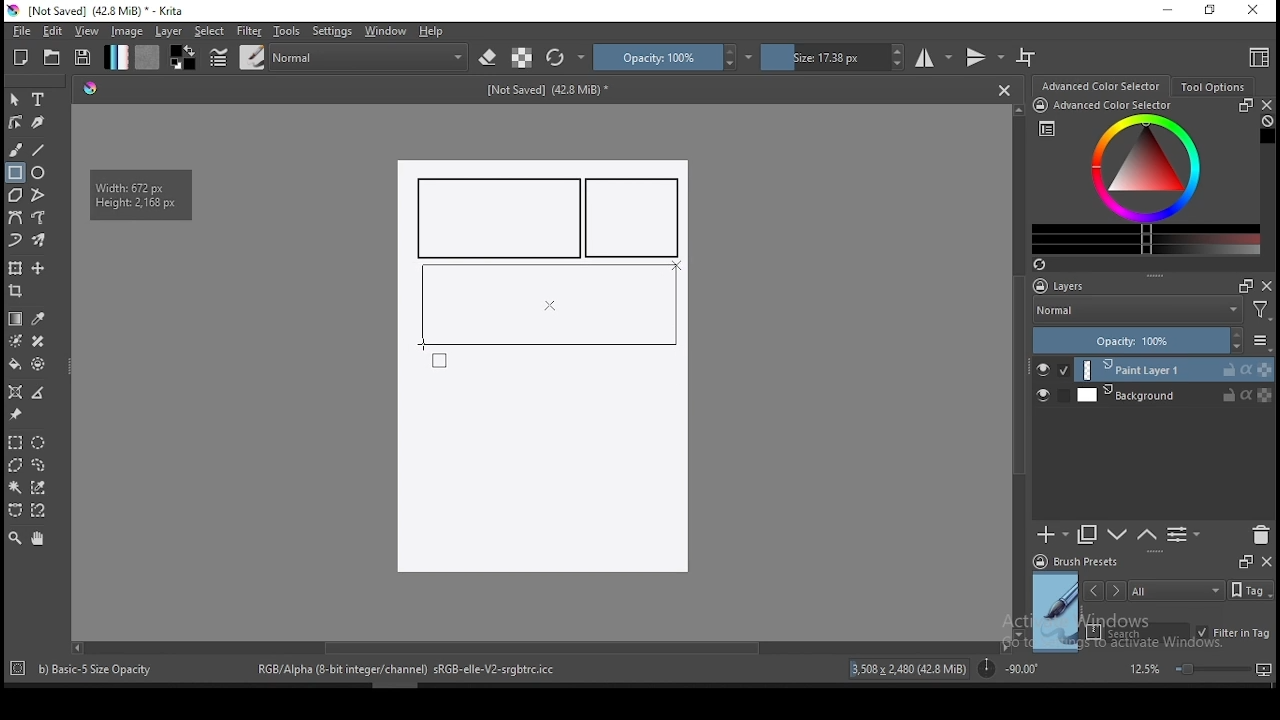  What do you see at coordinates (1053, 534) in the screenshot?
I see `new layer` at bounding box center [1053, 534].